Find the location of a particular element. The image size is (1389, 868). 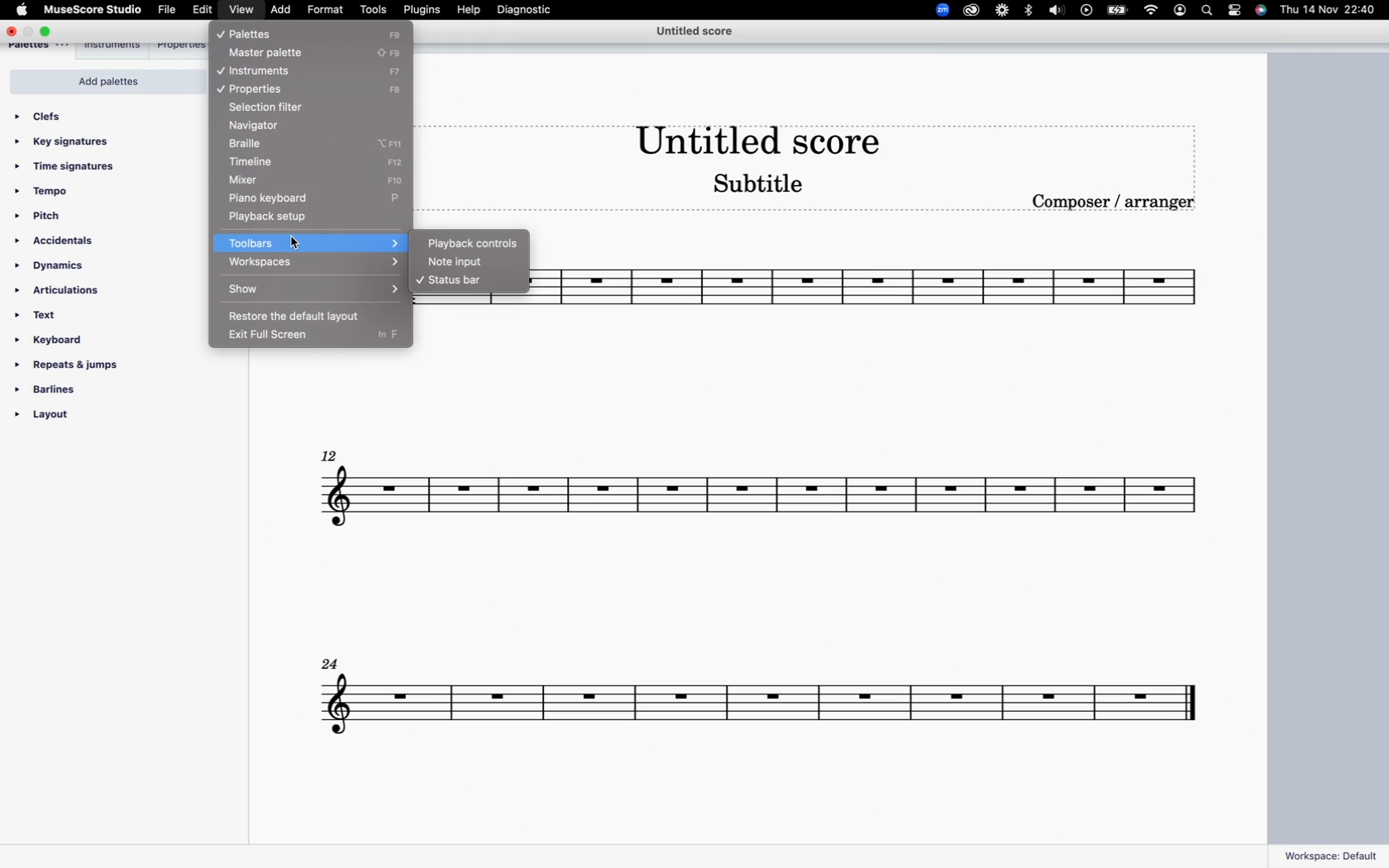

composer / arranger is located at coordinates (1118, 207).